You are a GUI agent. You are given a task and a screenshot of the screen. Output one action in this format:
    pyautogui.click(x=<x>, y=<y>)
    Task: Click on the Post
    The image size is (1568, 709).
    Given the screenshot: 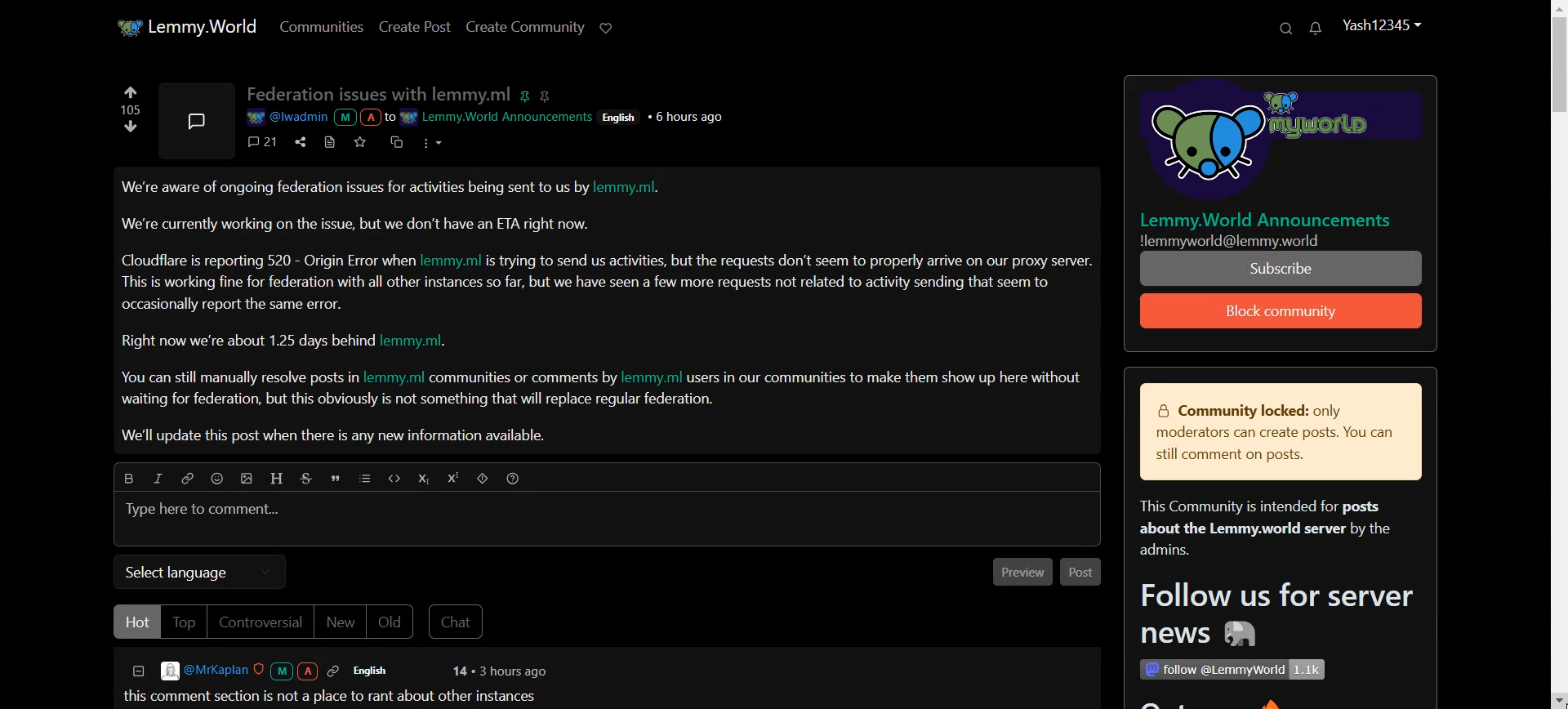 What is the action you would take?
    pyautogui.click(x=1081, y=571)
    